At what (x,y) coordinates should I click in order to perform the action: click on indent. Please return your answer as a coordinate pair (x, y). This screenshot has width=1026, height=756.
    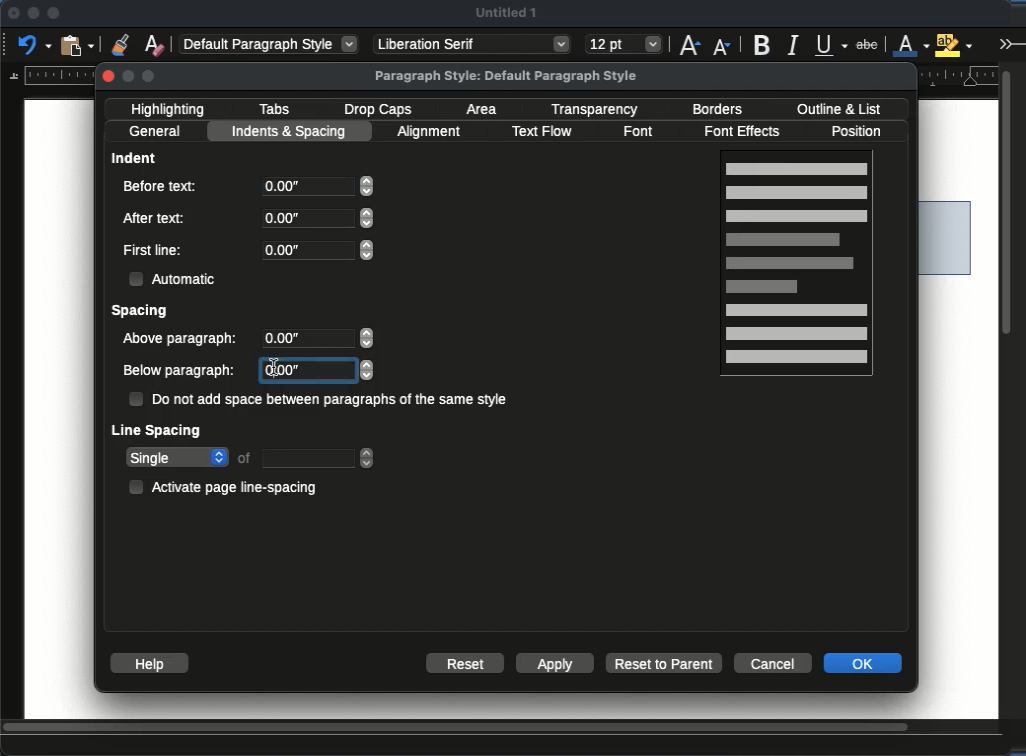
    Looking at the image, I should click on (135, 157).